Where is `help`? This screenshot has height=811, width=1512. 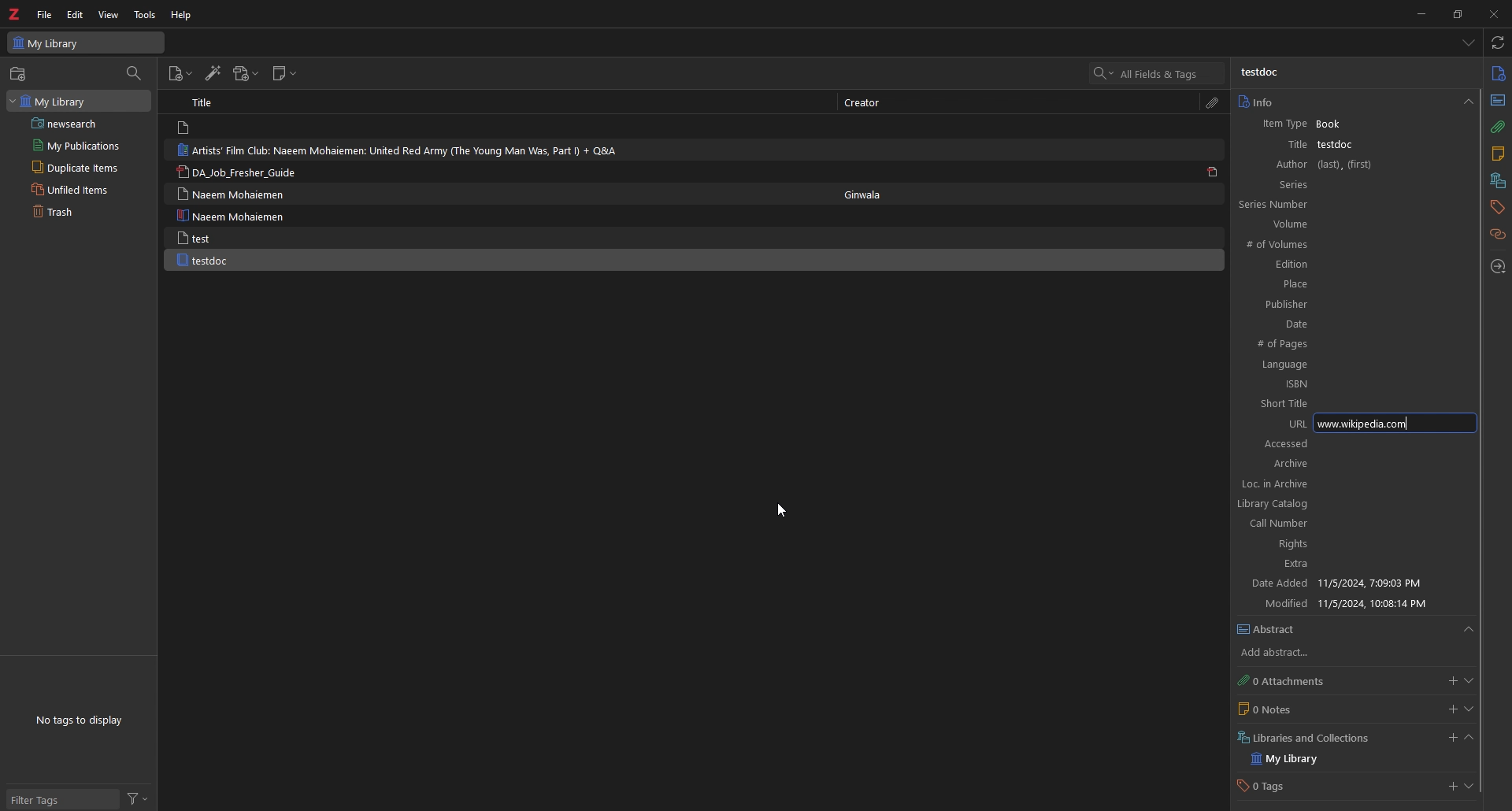
help is located at coordinates (182, 16).